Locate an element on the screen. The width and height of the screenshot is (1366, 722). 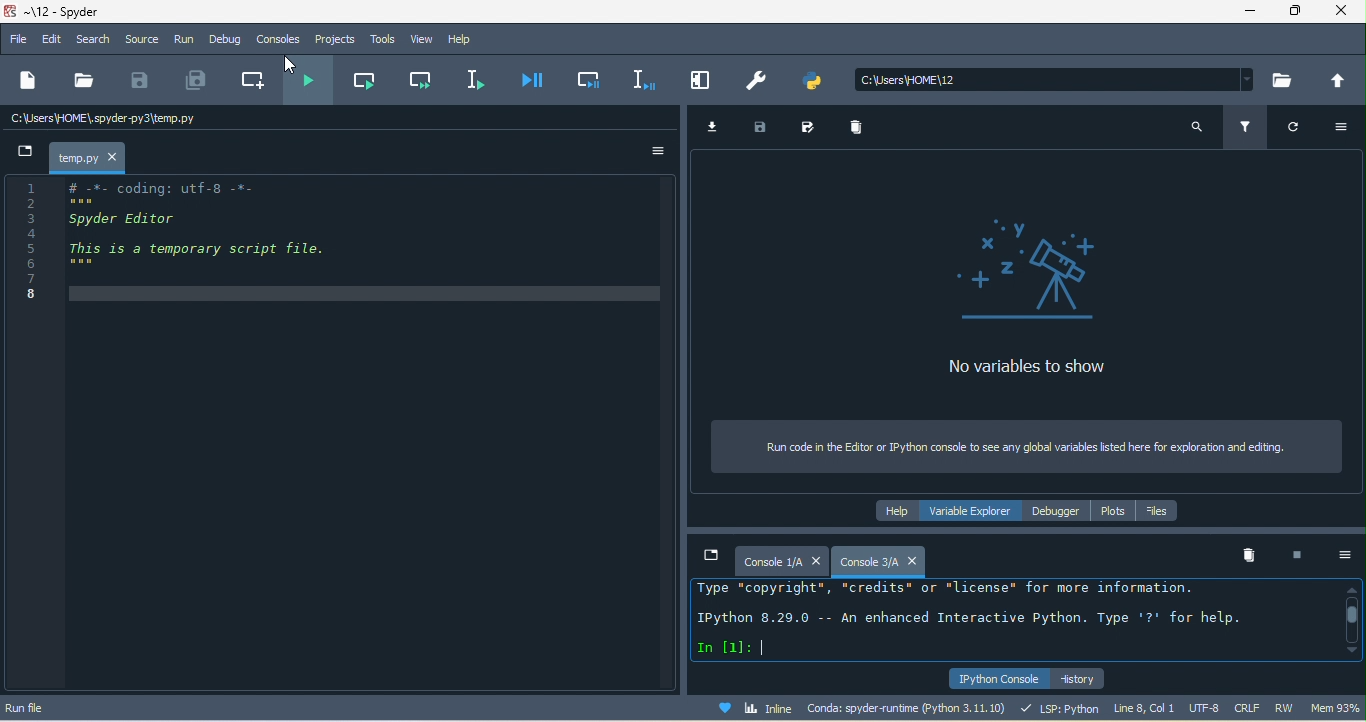
search is located at coordinates (1195, 127).